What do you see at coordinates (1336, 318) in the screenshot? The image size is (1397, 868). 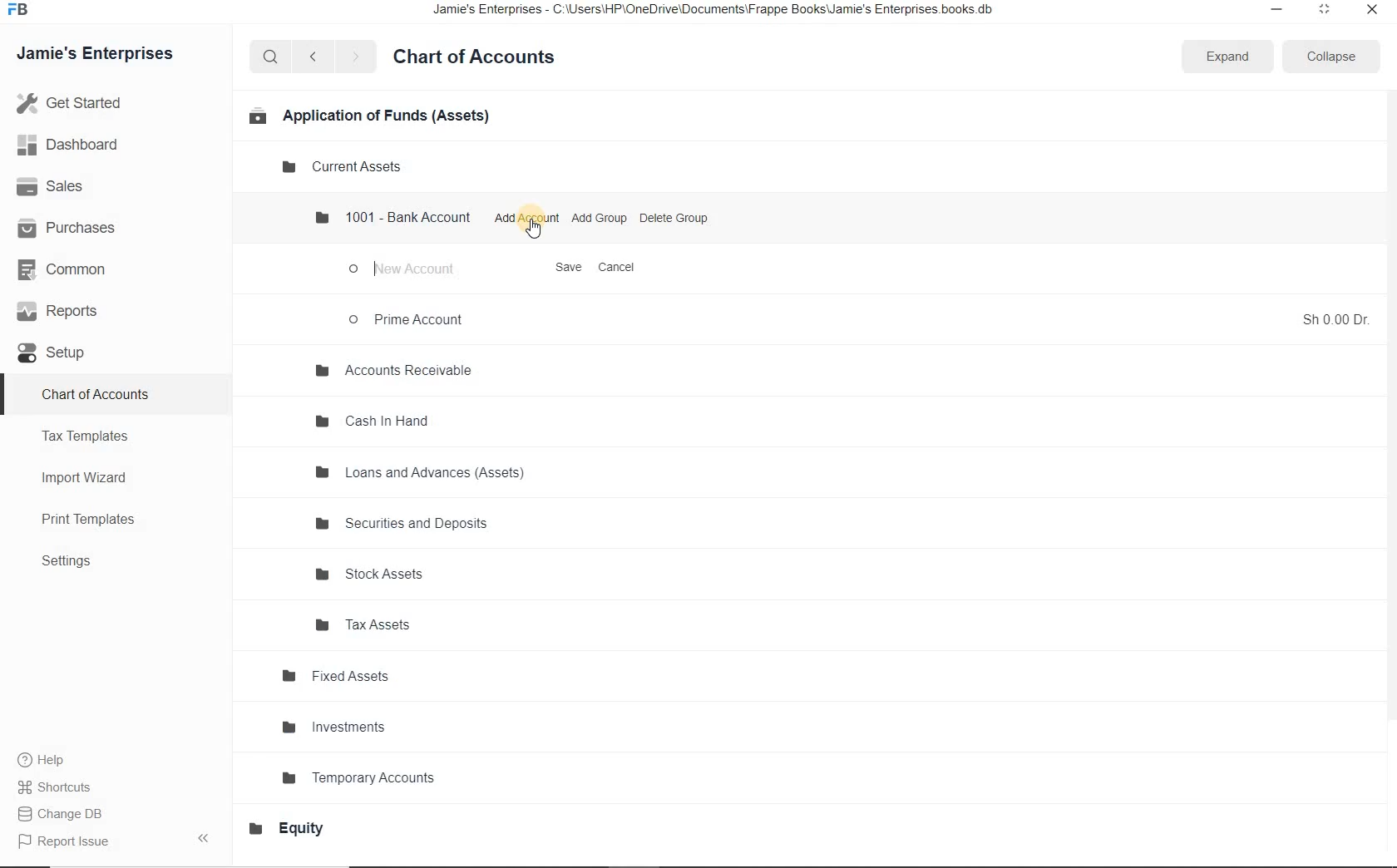 I see `Sh 0.00 Dr.` at bounding box center [1336, 318].